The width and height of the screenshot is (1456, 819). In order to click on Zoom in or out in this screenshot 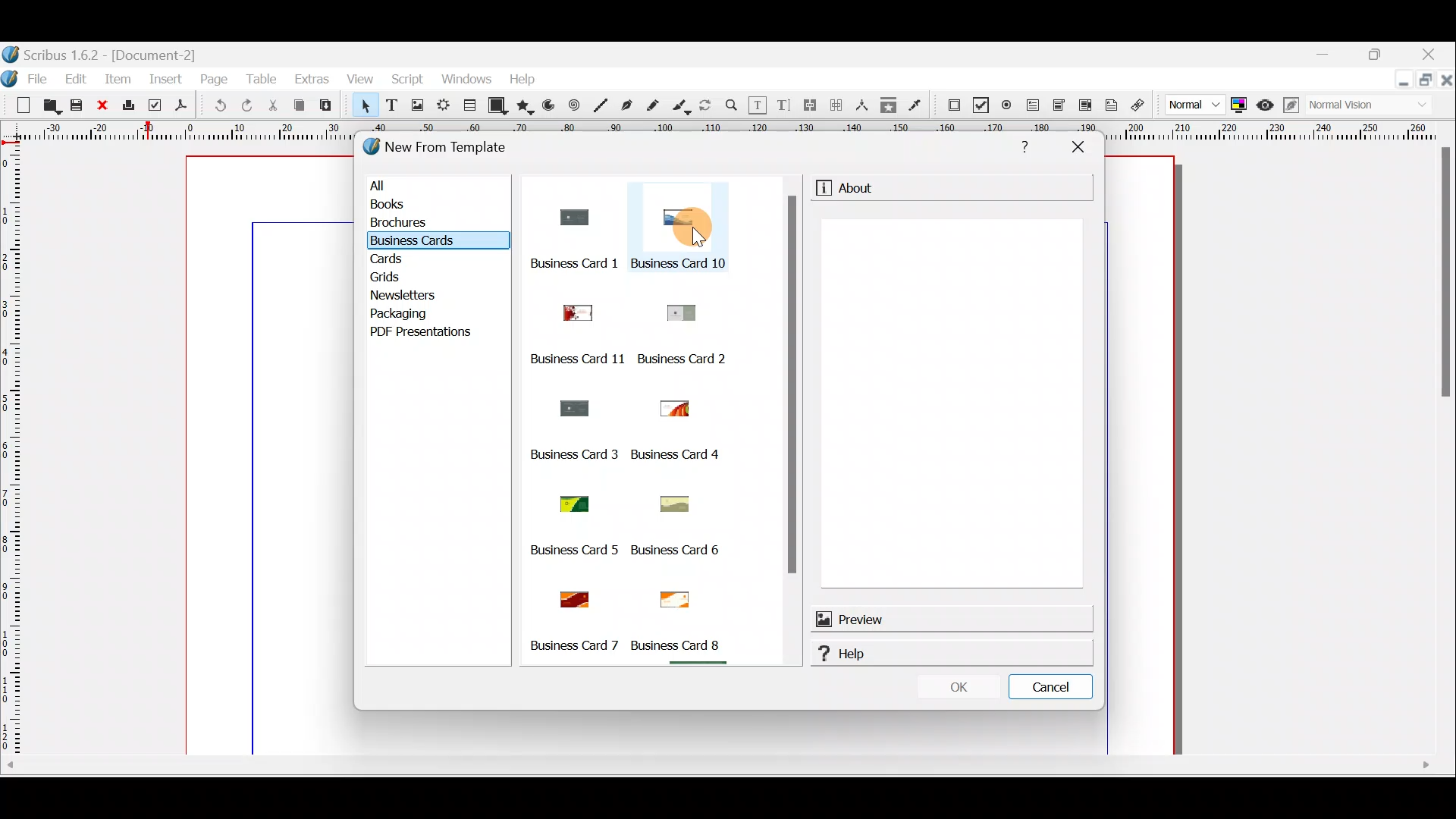, I will do `click(733, 106)`.